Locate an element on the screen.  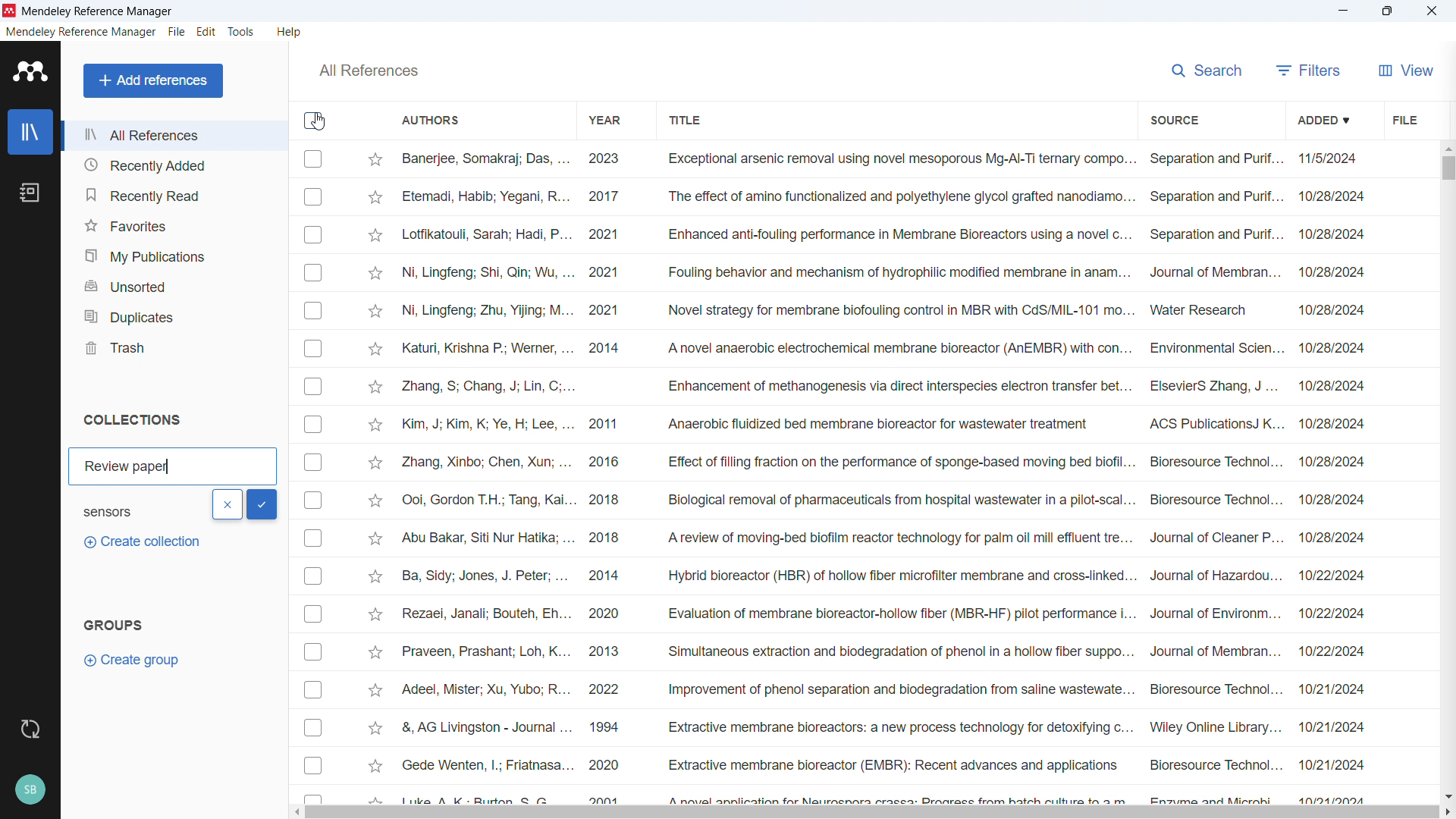
Banerjee, Somakraj; Das, ... 2023 Exceptional arsenic removal using novel mesoporous Mg-Al-Ti ternary compo... Separation and Purif... 11/5/2024 is located at coordinates (884, 159).